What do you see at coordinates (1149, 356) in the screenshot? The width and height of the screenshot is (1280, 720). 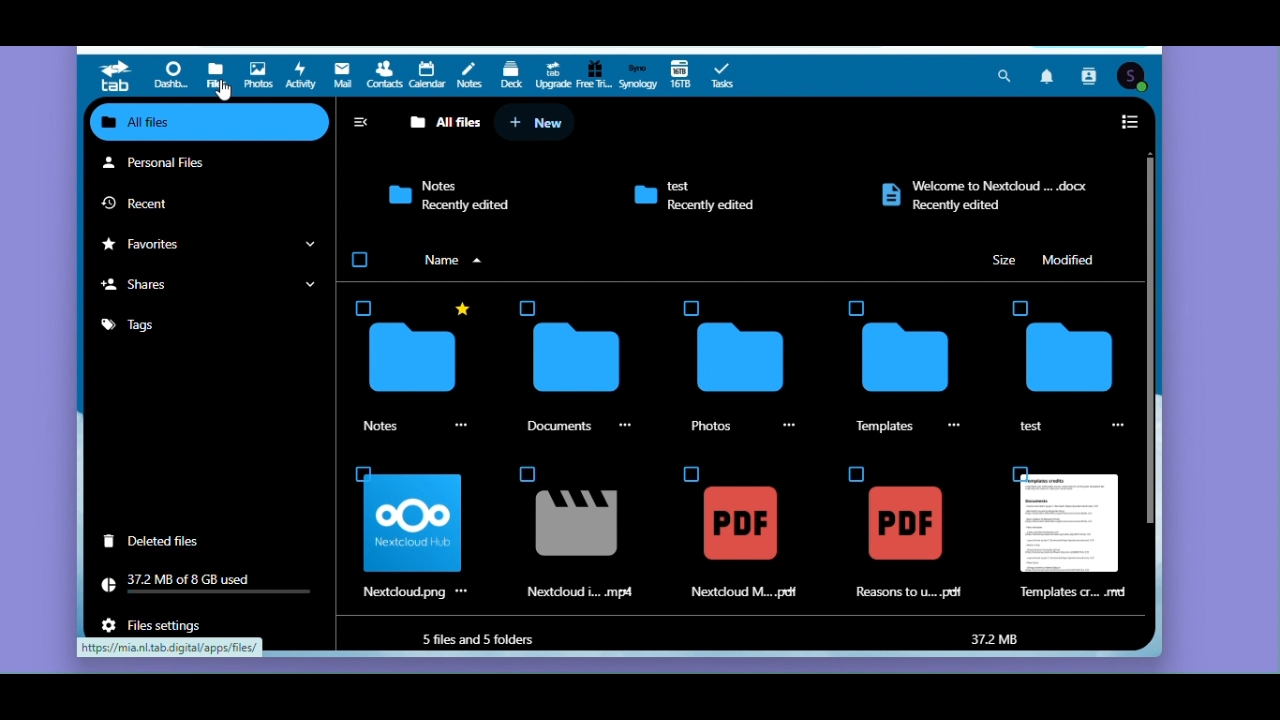 I see `Vertical scroll bar` at bounding box center [1149, 356].